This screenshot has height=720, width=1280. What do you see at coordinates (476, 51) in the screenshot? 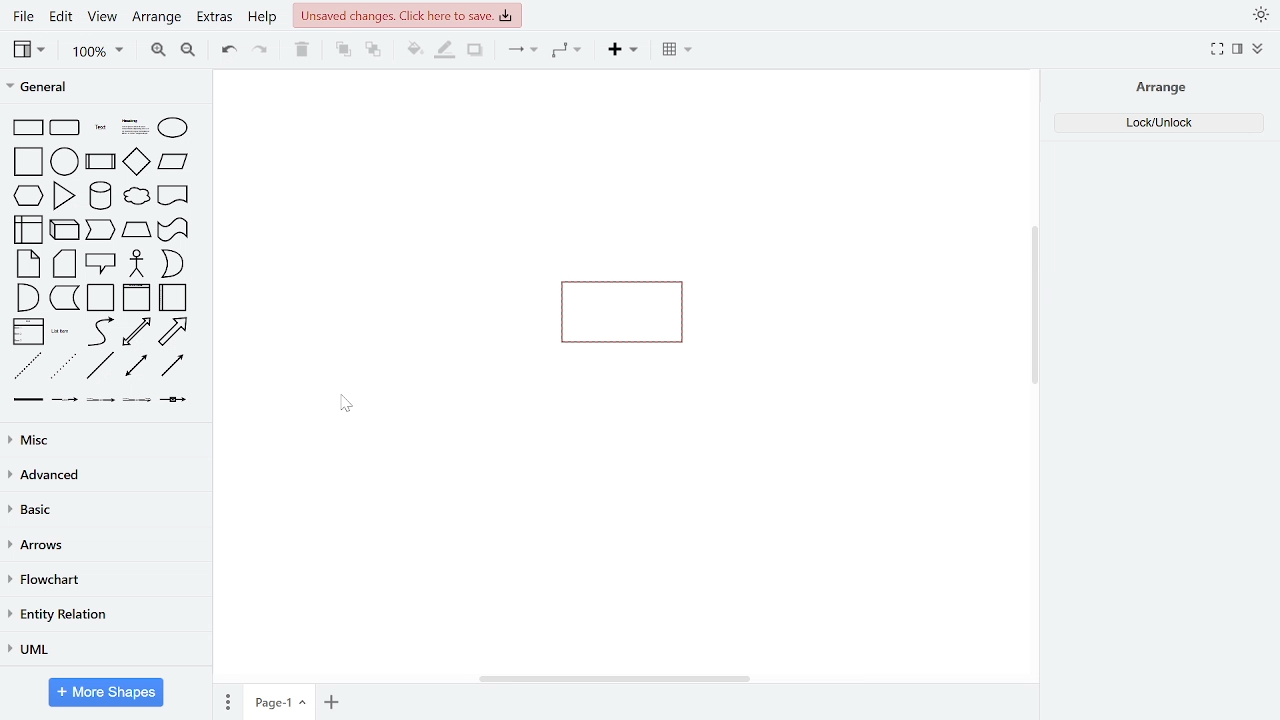
I see `shadow` at bounding box center [476, 51].